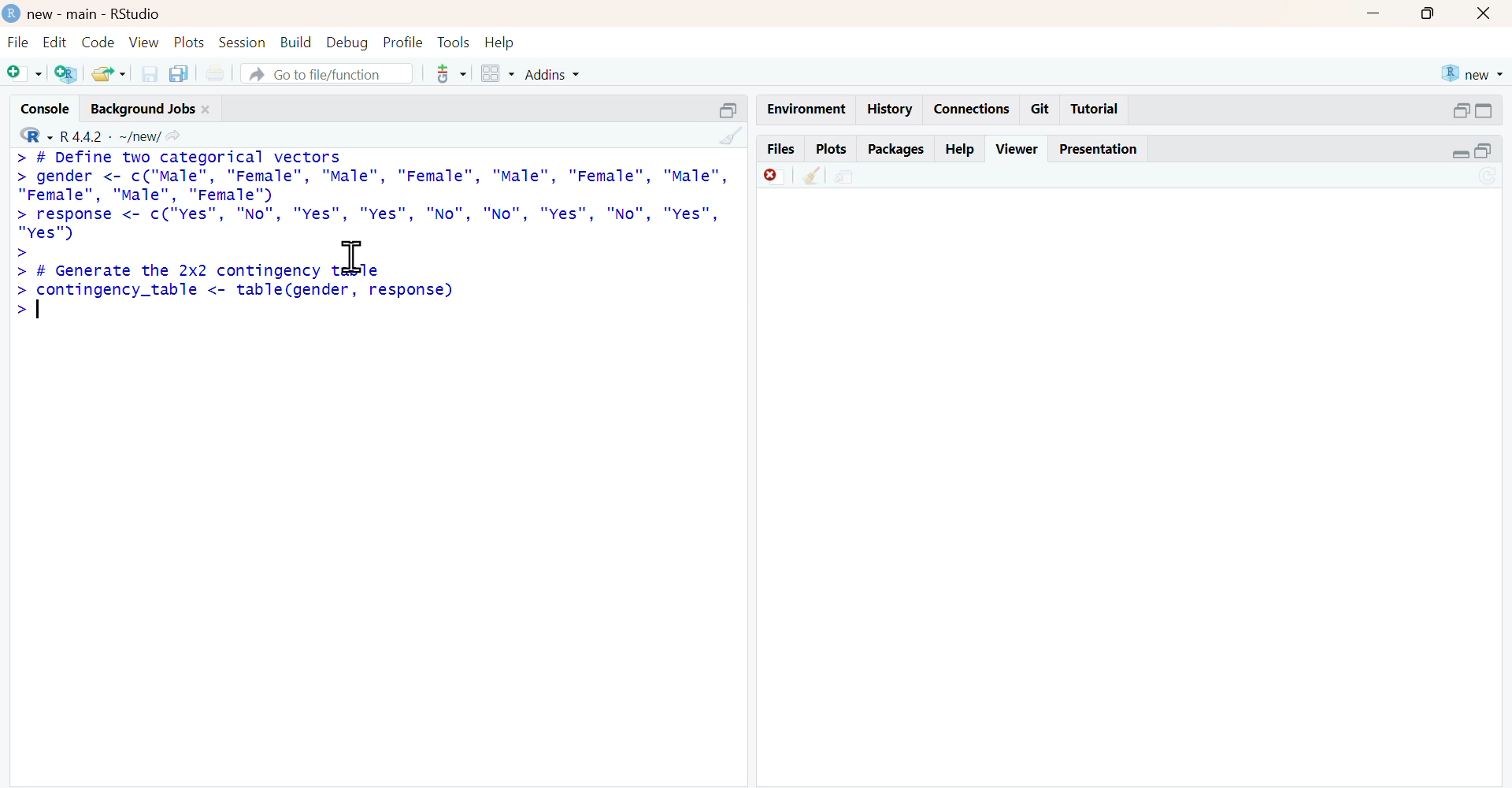 Image resolution: width=1512 pixels, height=788 pixels. What do you see at coordinates (46, 109) in the screenshot?
I see `console` at bounding box center [46, 109].